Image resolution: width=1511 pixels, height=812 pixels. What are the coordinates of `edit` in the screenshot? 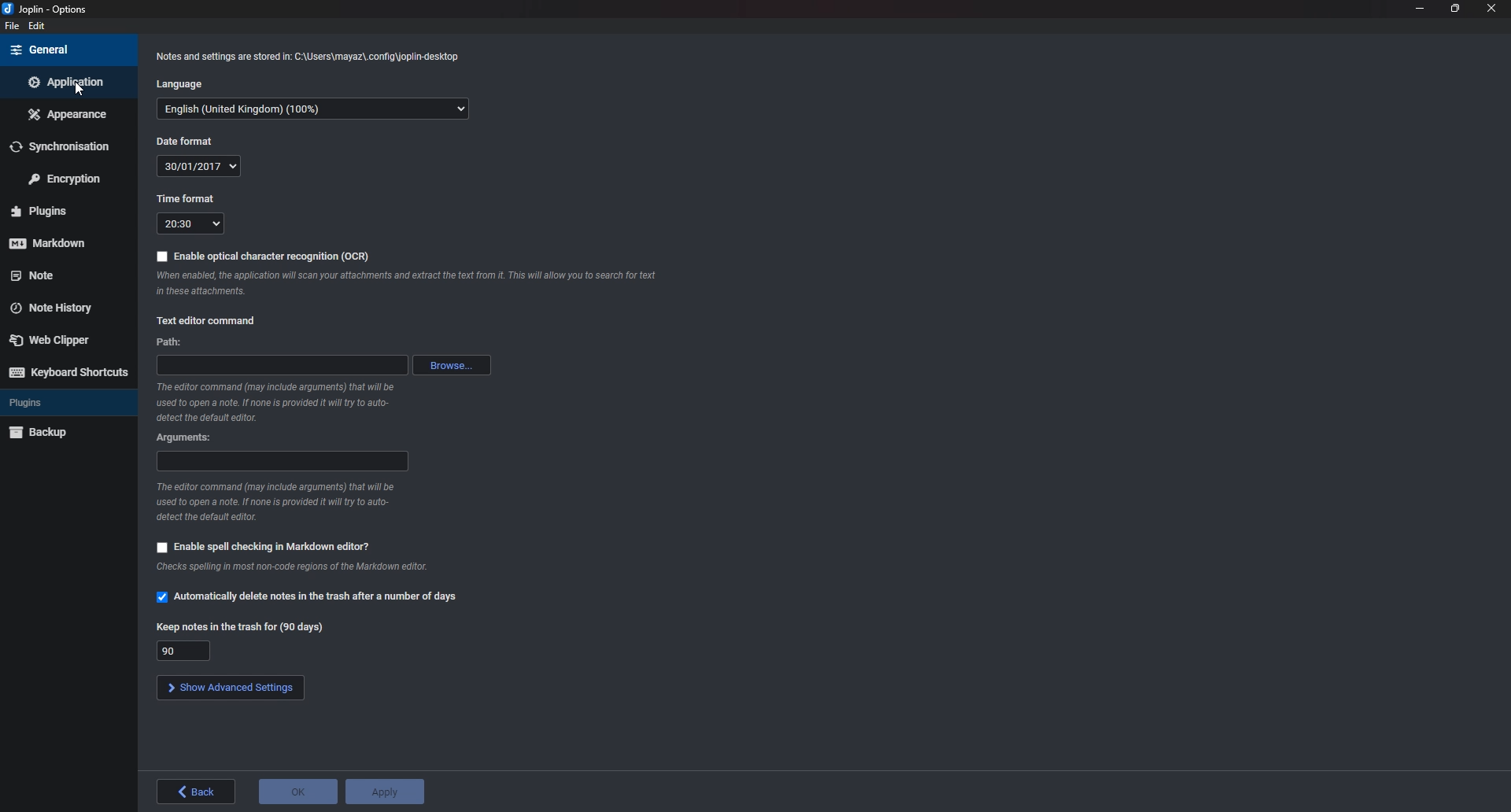 It's located at (39, 27).